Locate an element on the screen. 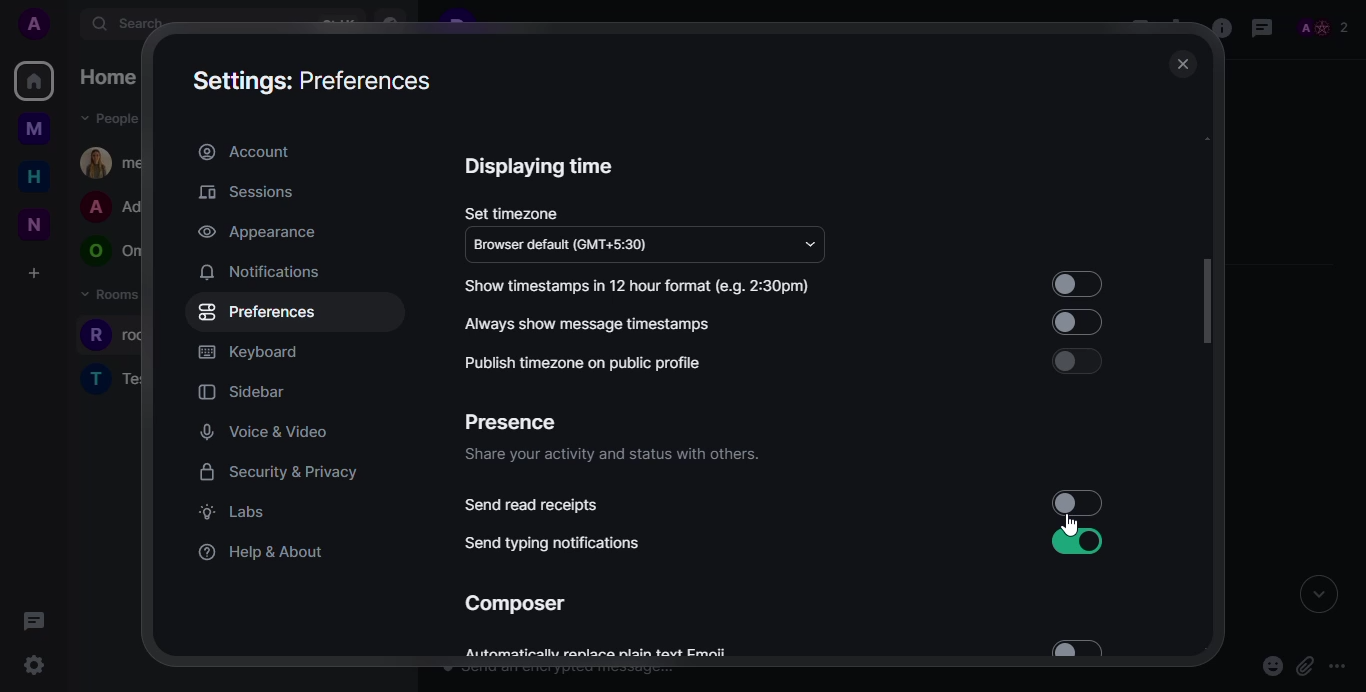 This screenshot has height=692, width=1366. help is located at coordinates (263, 549).